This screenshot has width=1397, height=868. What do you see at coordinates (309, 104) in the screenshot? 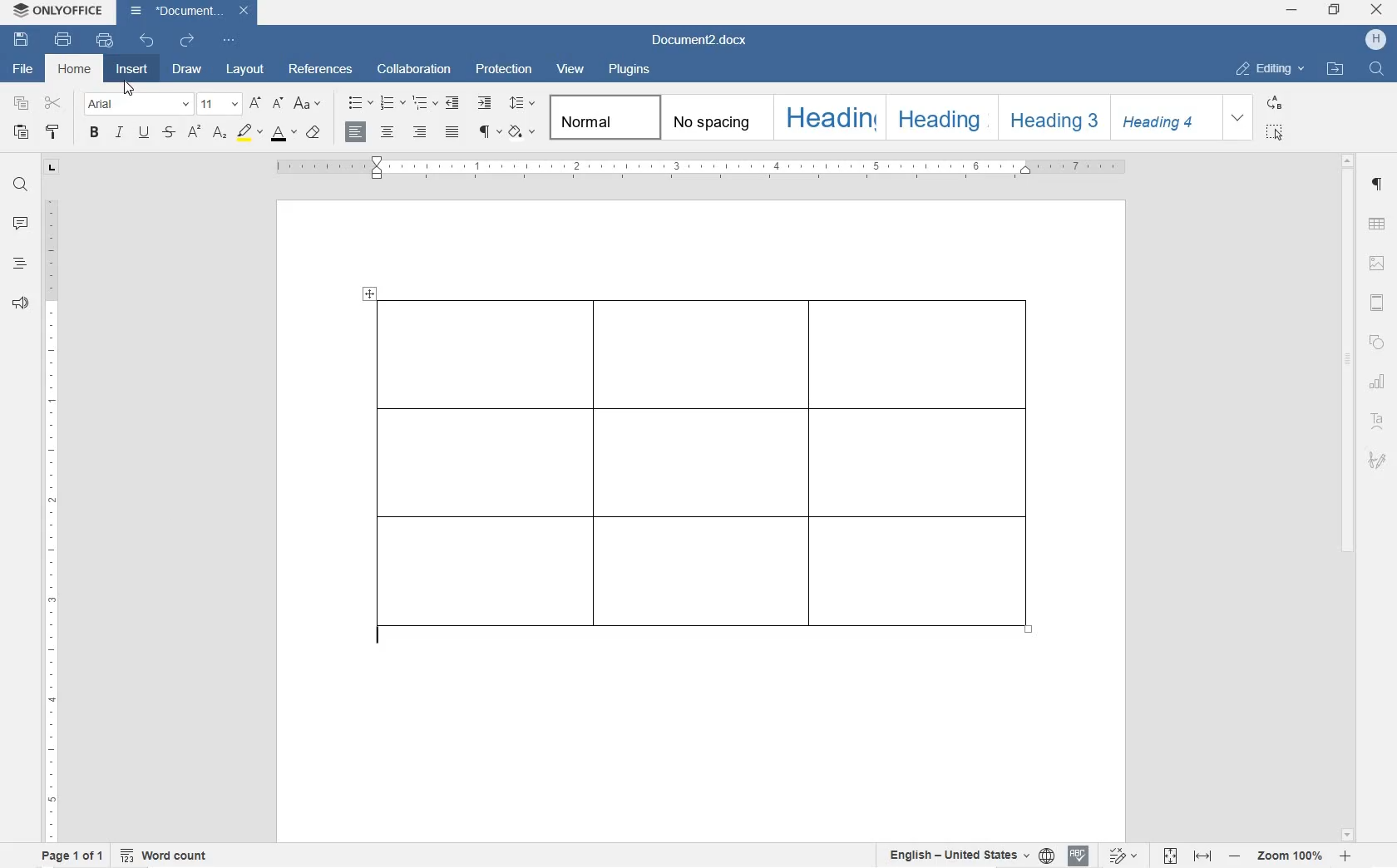
I see `change case` at bounding box center [309, 104].